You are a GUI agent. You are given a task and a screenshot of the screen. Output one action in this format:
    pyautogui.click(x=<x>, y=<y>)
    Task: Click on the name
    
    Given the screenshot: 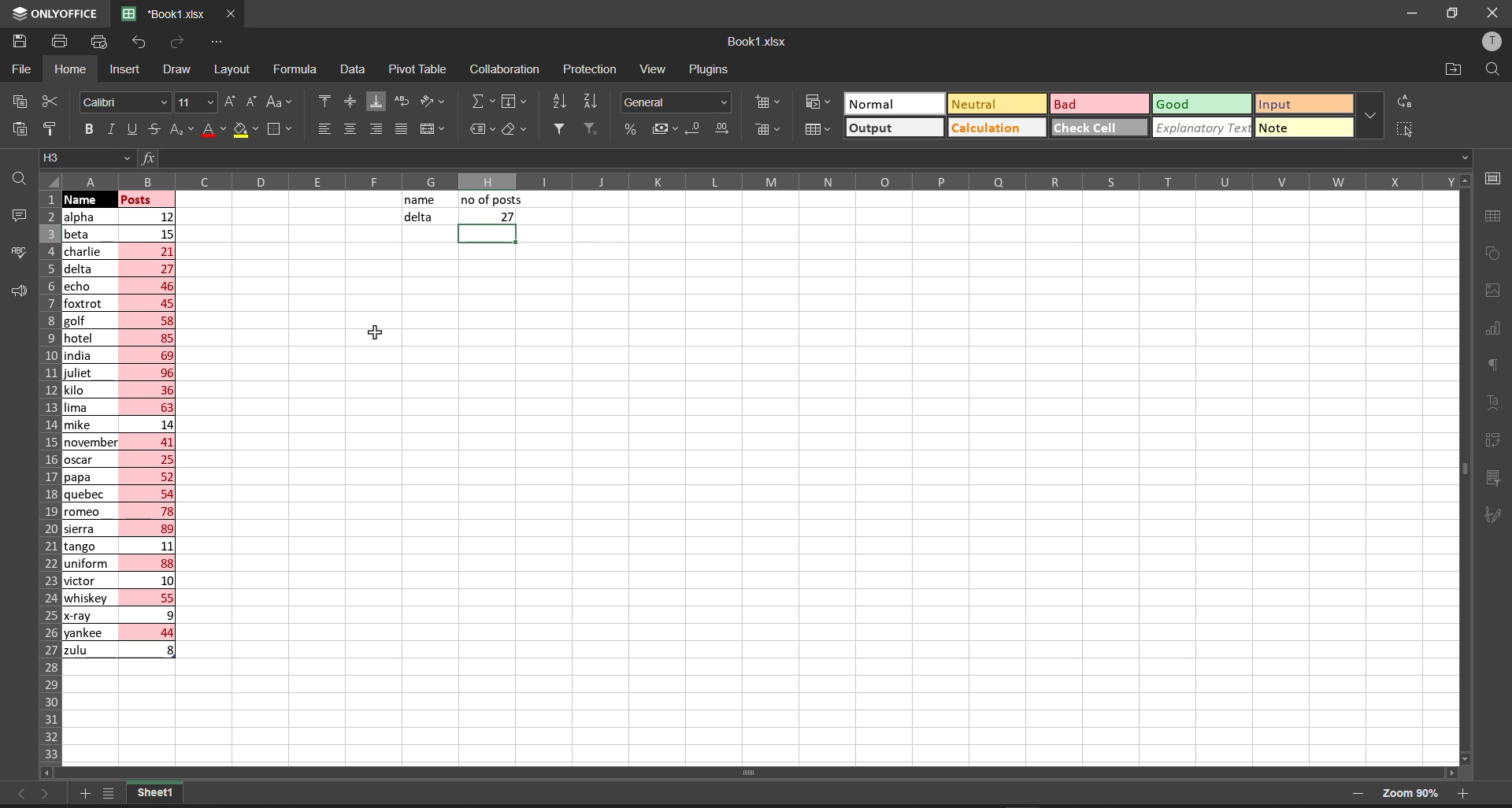 What is the action you would take?
    pyautogui.click(x=421, y=200)
    